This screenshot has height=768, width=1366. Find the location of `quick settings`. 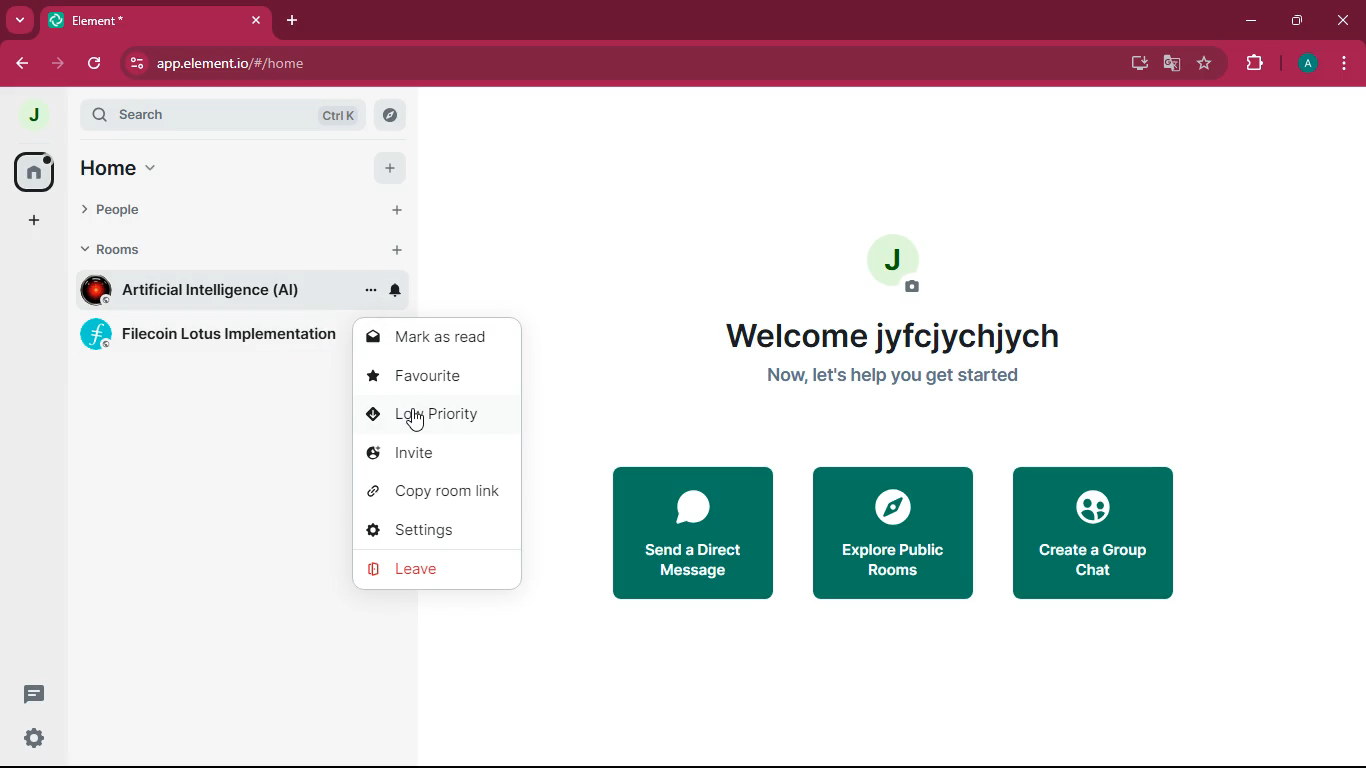

quick settings is located at coordinates (35, 737).